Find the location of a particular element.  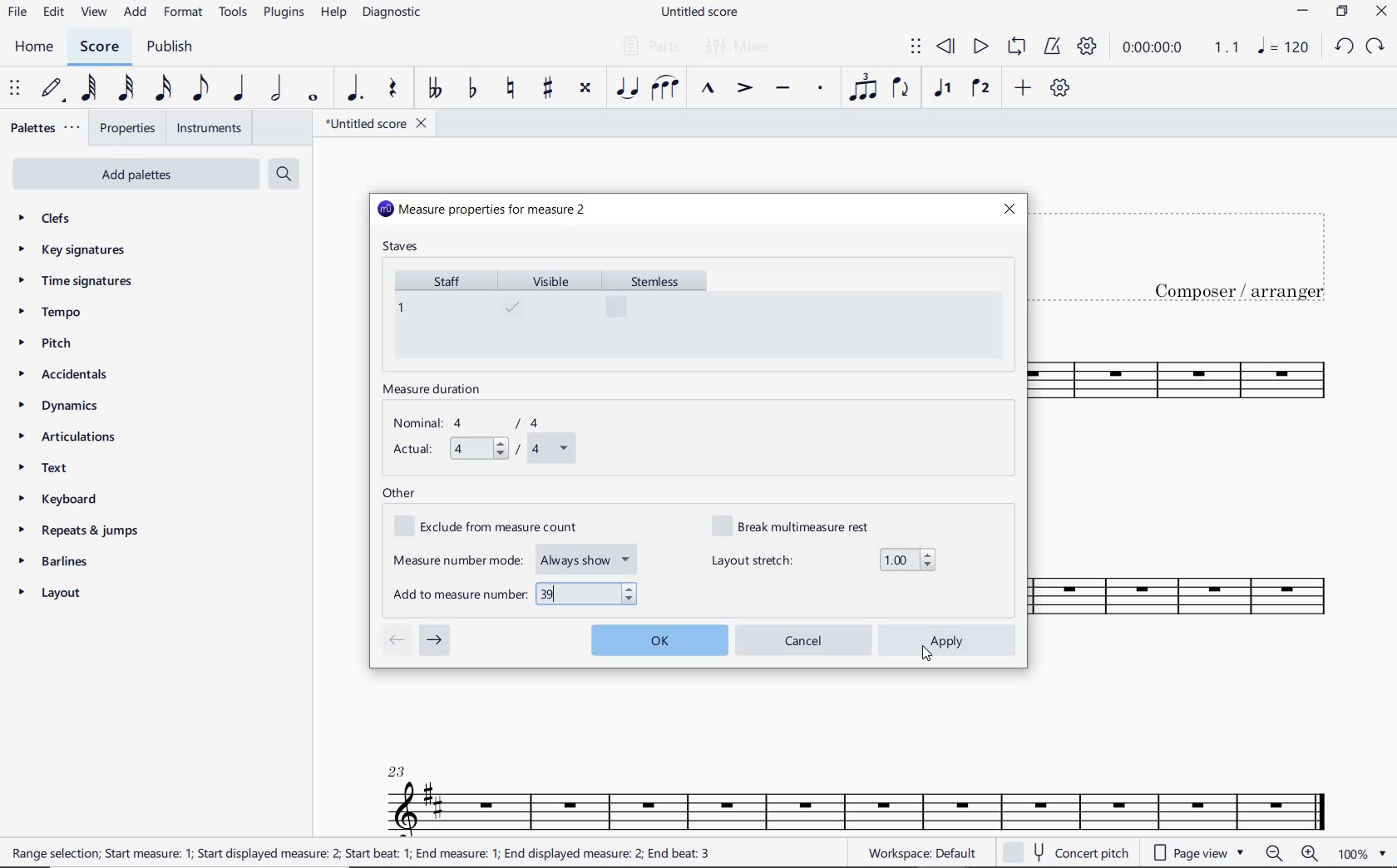

ACCENT is located at coordinates (743, 90).